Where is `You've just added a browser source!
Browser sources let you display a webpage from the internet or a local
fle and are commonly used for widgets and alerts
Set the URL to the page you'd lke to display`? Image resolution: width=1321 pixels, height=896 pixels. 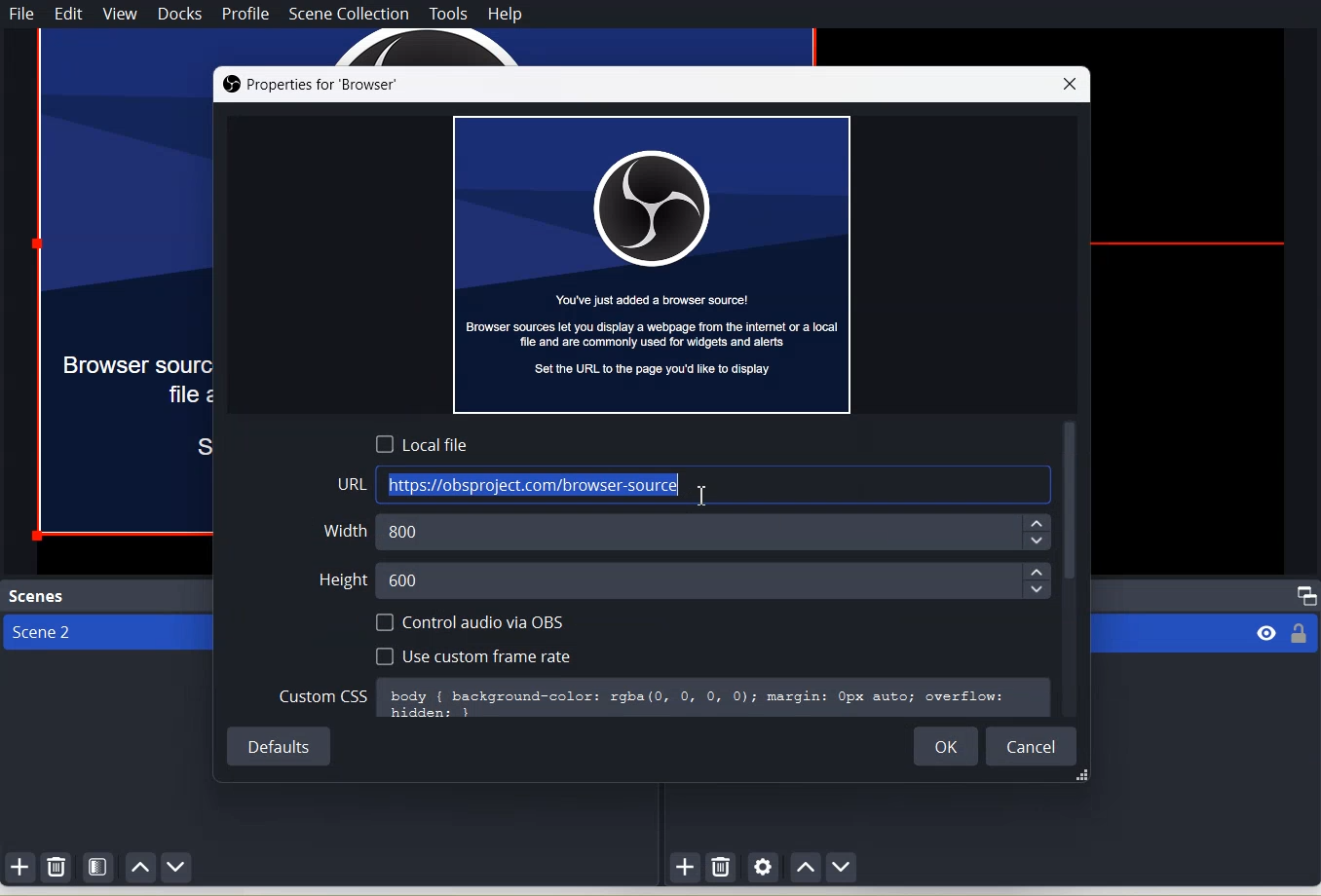 You've just added a browser source!
Browser sources let you display a webpage from the internet or a local
fle and are commonly used for widgets and alerts
Set the URL to the page you'd lke to display is located at coordinates (652, 269).